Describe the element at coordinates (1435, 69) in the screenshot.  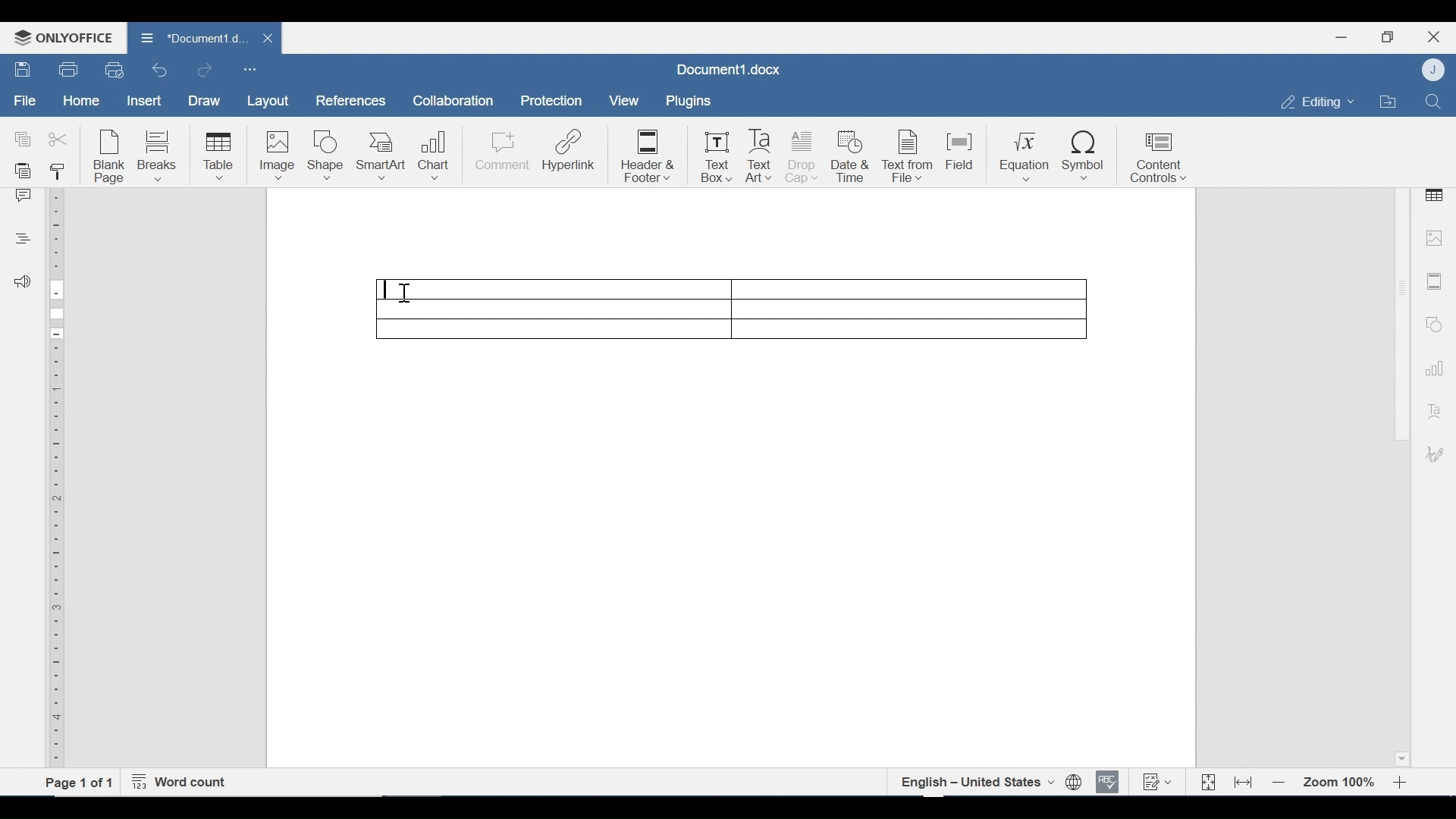
I see `User` at that location.